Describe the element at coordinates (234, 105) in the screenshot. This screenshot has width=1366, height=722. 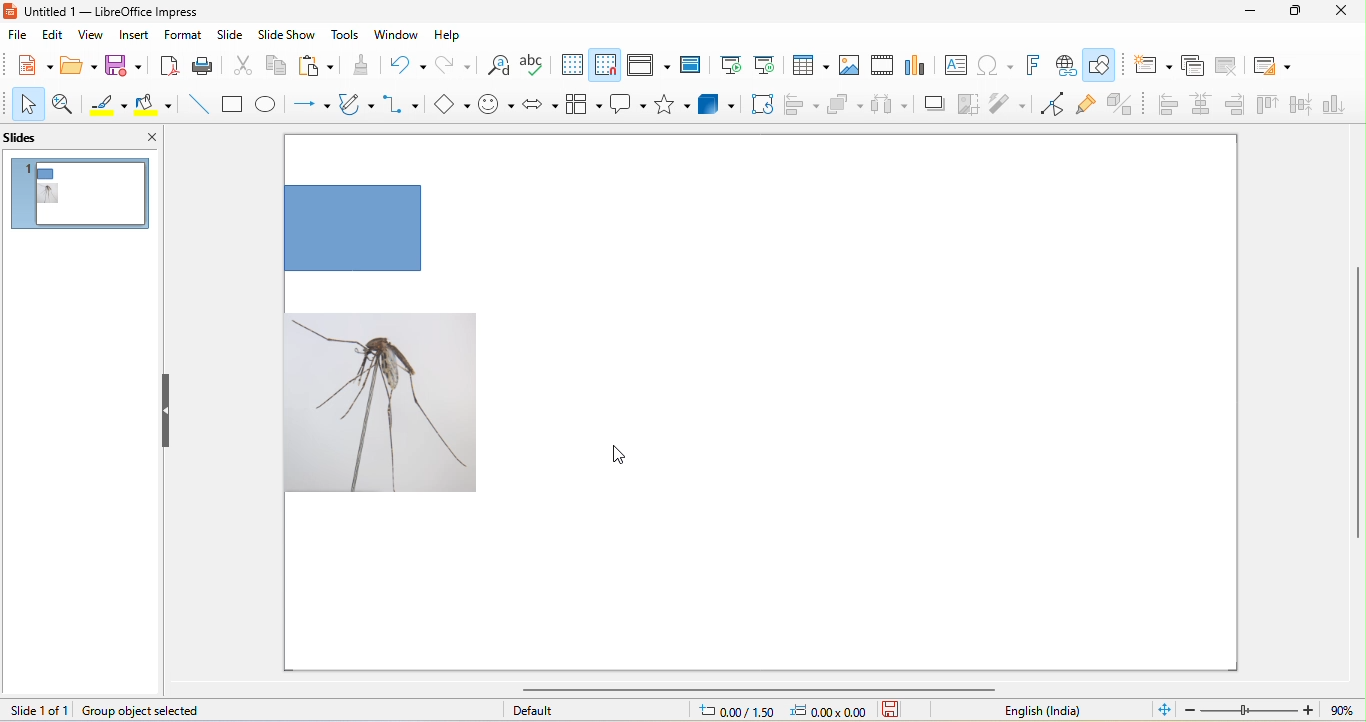
I see `rectangle` at that location.